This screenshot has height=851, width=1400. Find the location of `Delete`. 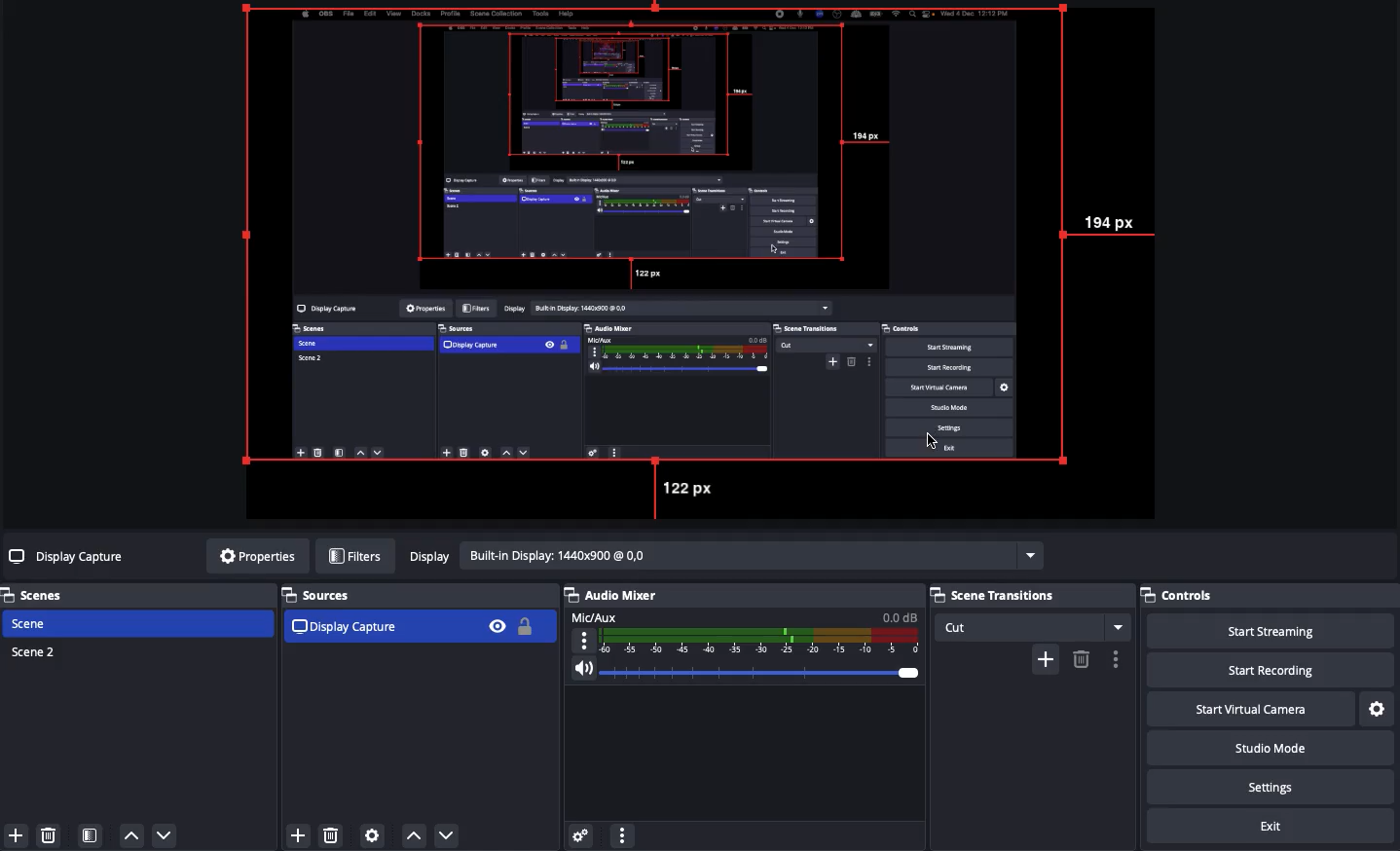

Delete is located at coordinates (1081, 659).